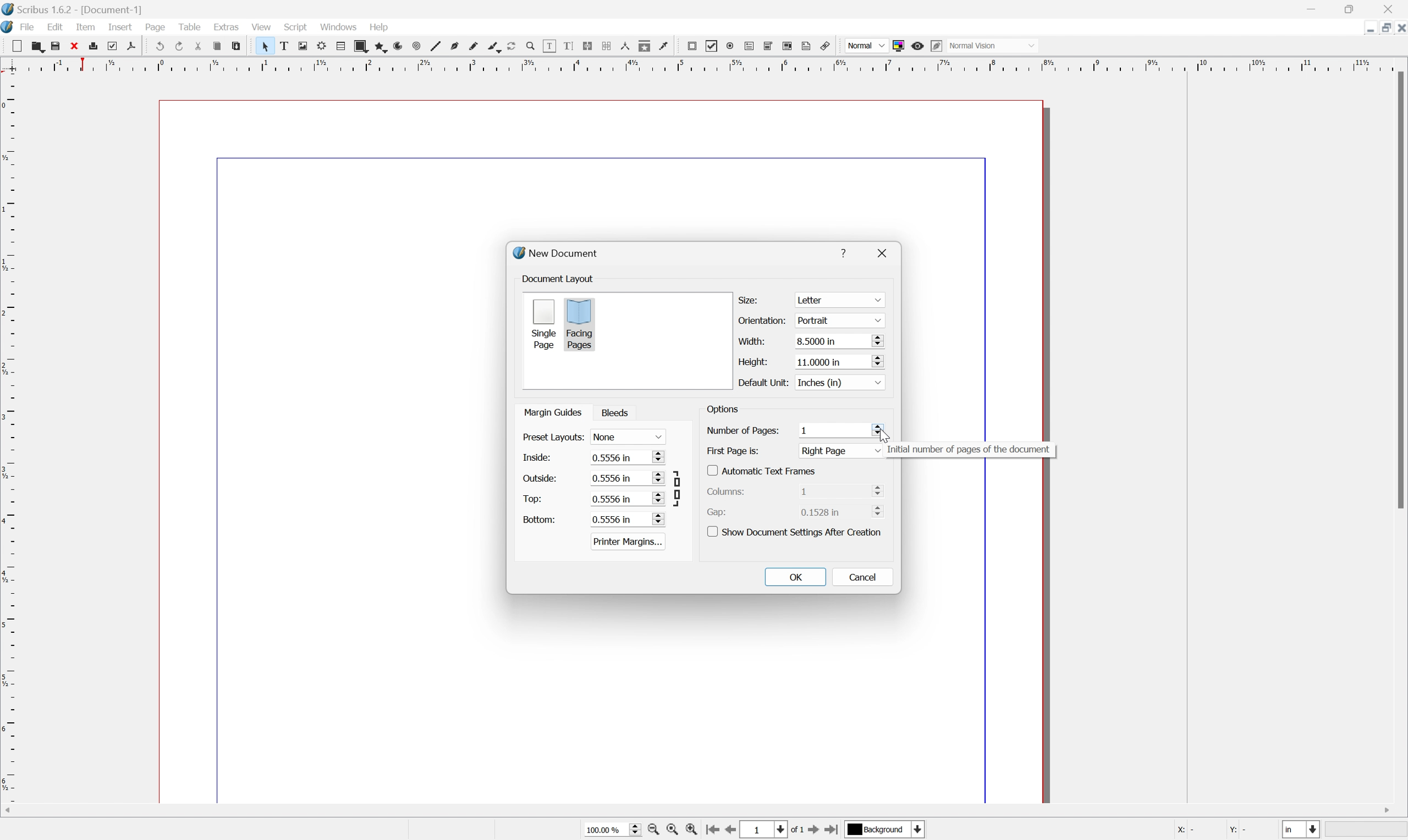  What do you see at coordinates (590, 46) in the screenshot?
I see `Link text text frames` at bounding box center [590, 46].